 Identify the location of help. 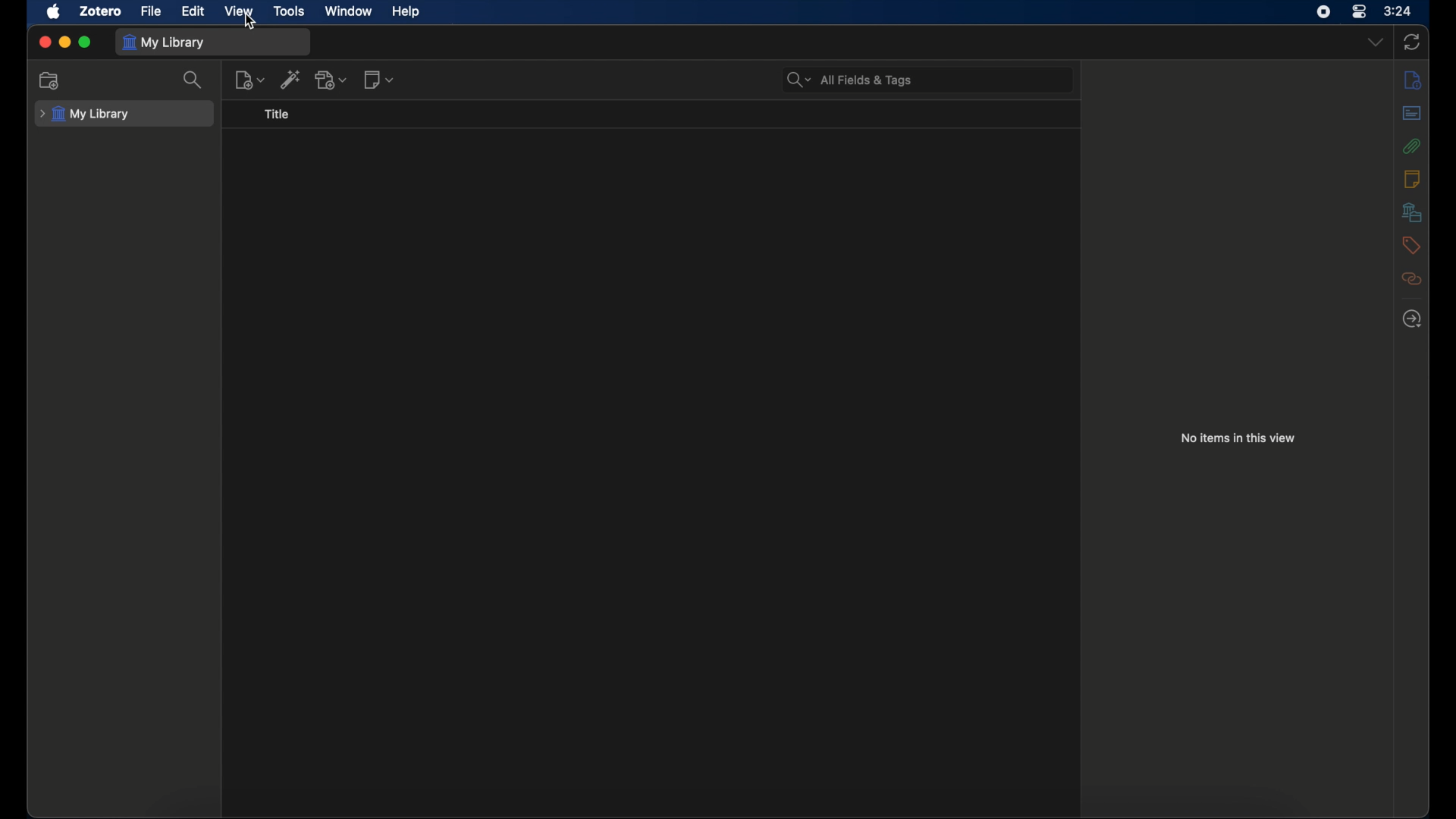
(405, 12).